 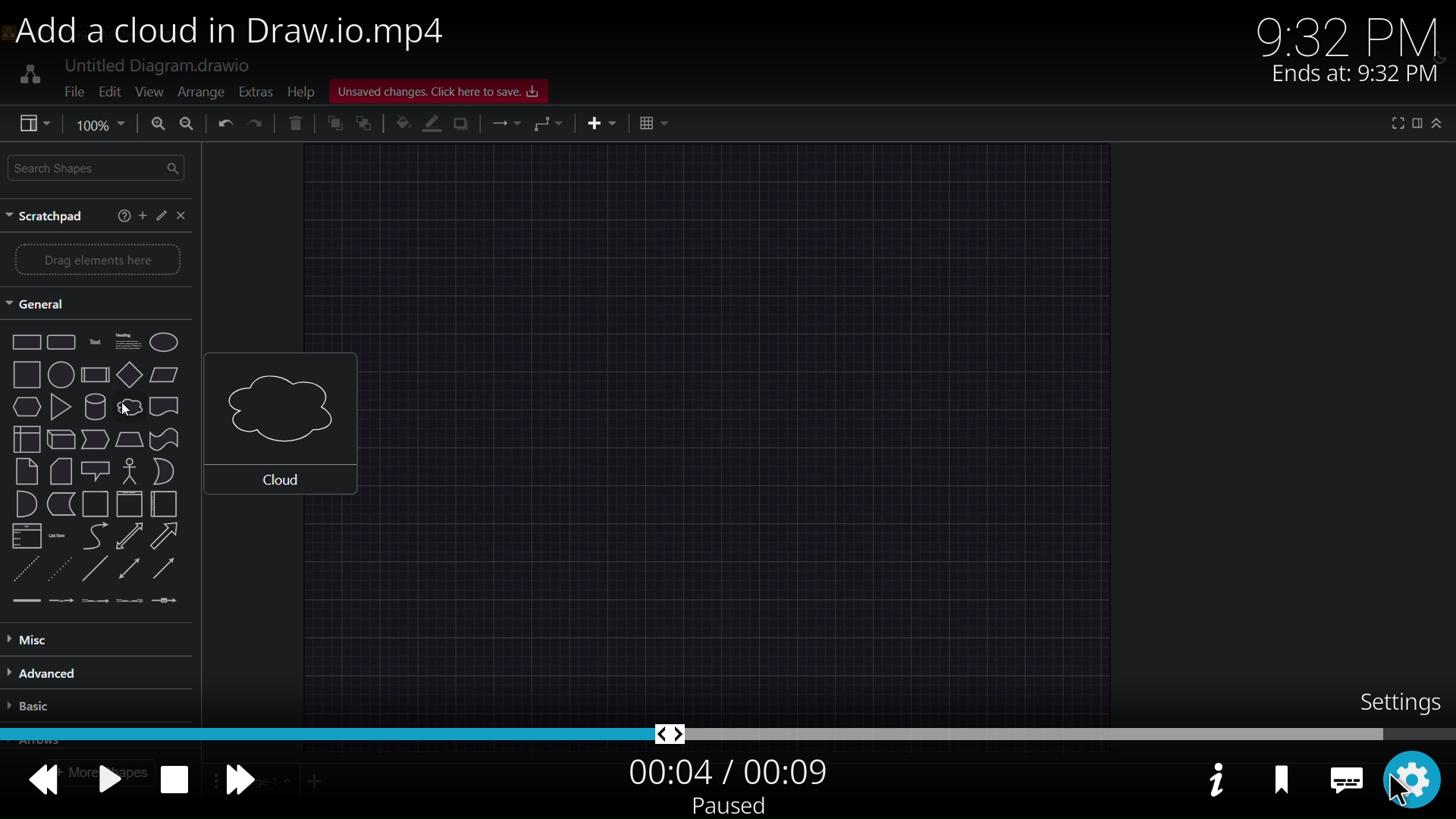 I want to click on setting, so click(x=1410, y=780).